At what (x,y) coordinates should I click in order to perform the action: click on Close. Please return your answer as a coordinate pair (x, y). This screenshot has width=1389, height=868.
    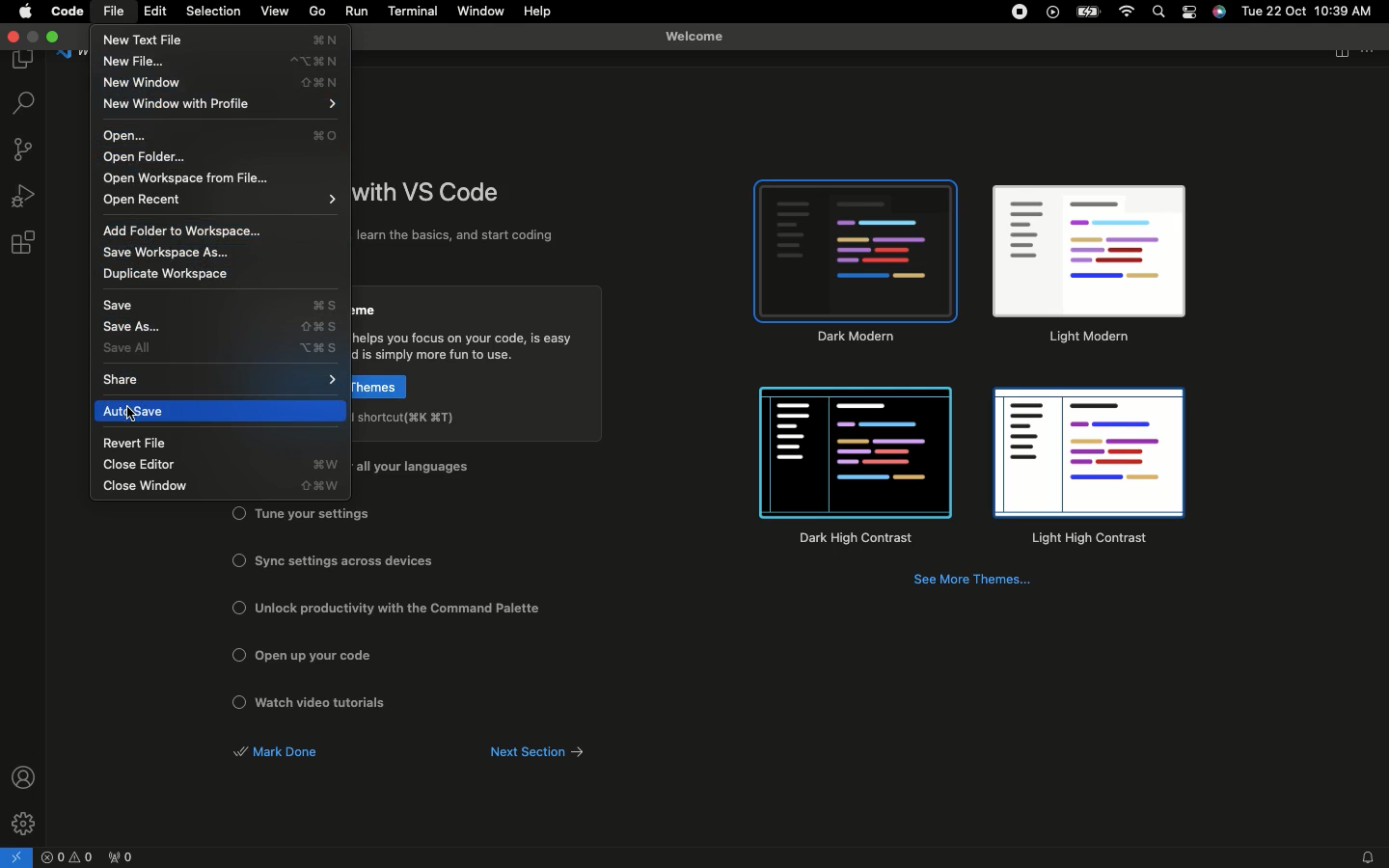
    Looking at the image, I should click on (12, 38).